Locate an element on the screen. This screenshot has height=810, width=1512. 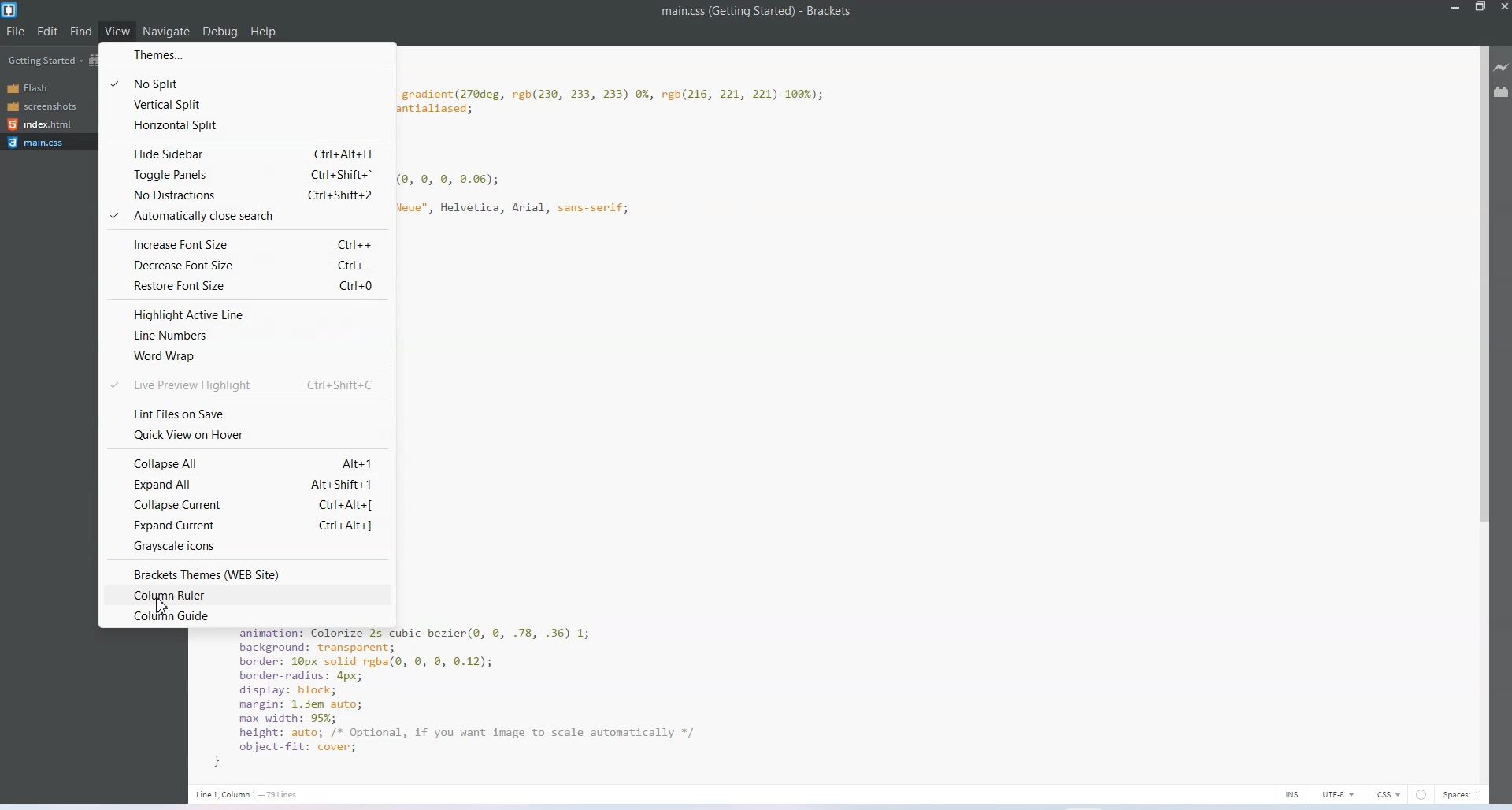
Increase font size is located at coordinates (245, 243).